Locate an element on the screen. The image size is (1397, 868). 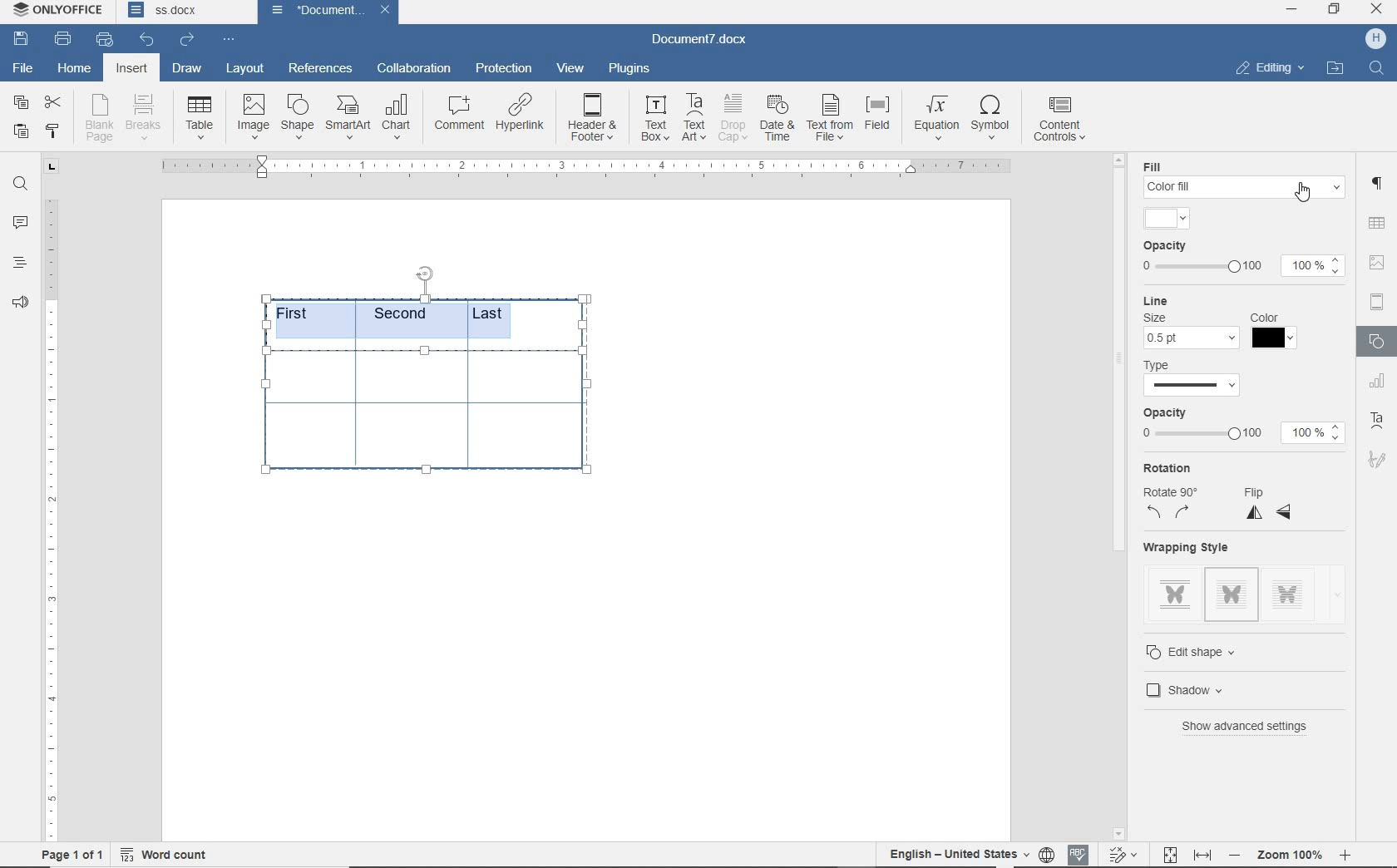
OPEN FILE LOCATION is located at coordinates (1336, 68).